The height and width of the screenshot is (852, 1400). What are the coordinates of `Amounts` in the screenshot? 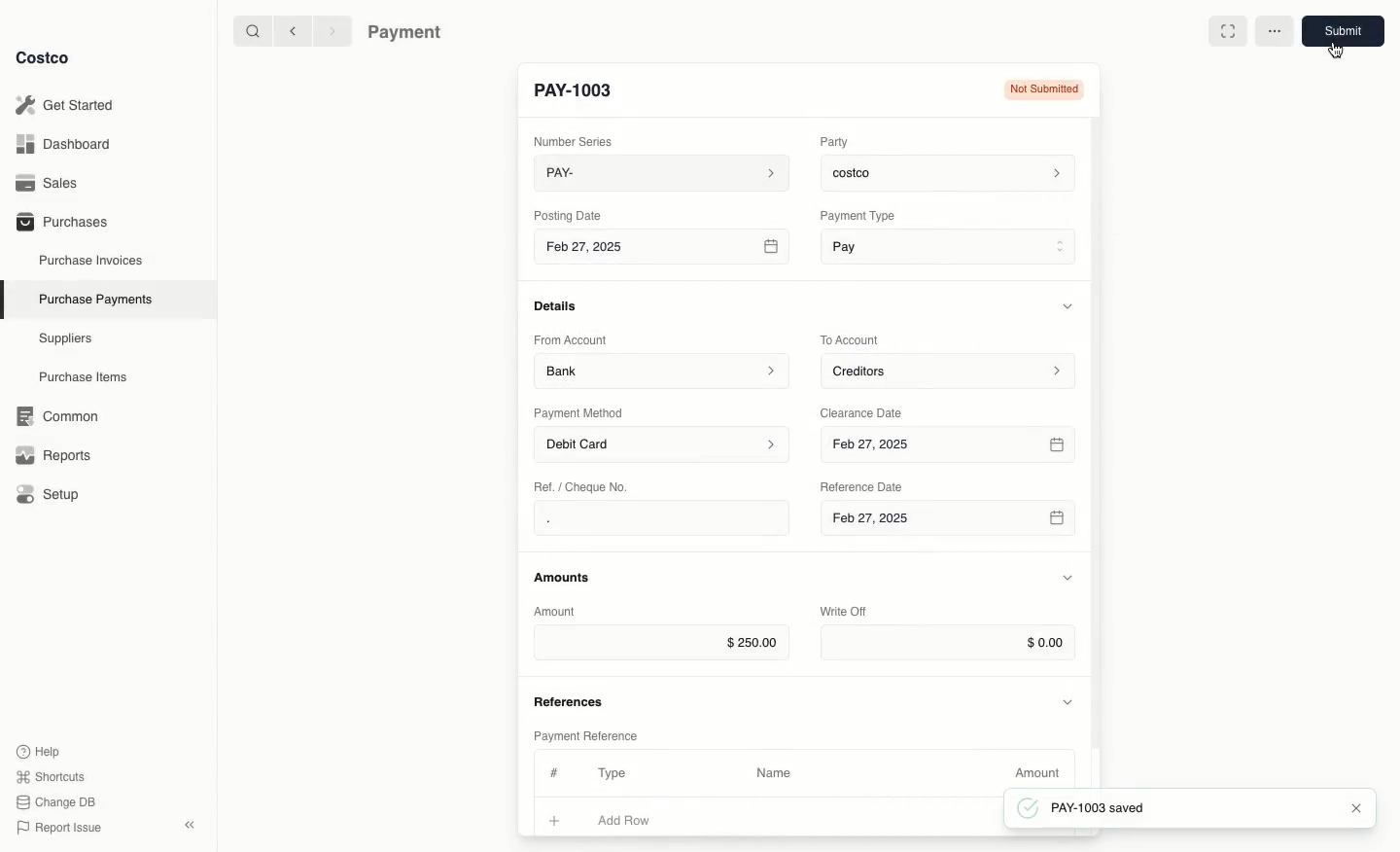 It's located at (564, 577).